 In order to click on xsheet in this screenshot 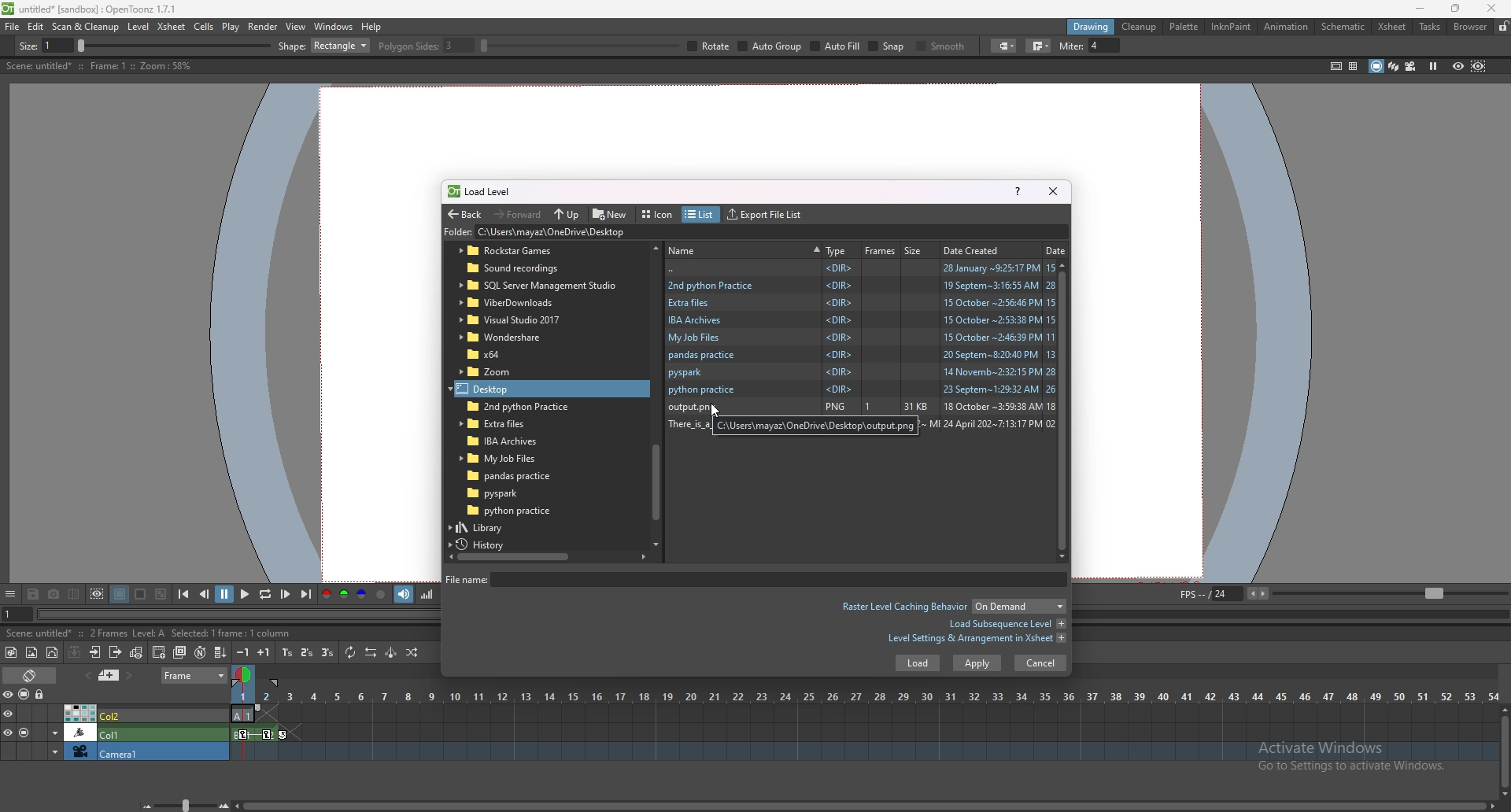, I will do `click(1392, 27)`.